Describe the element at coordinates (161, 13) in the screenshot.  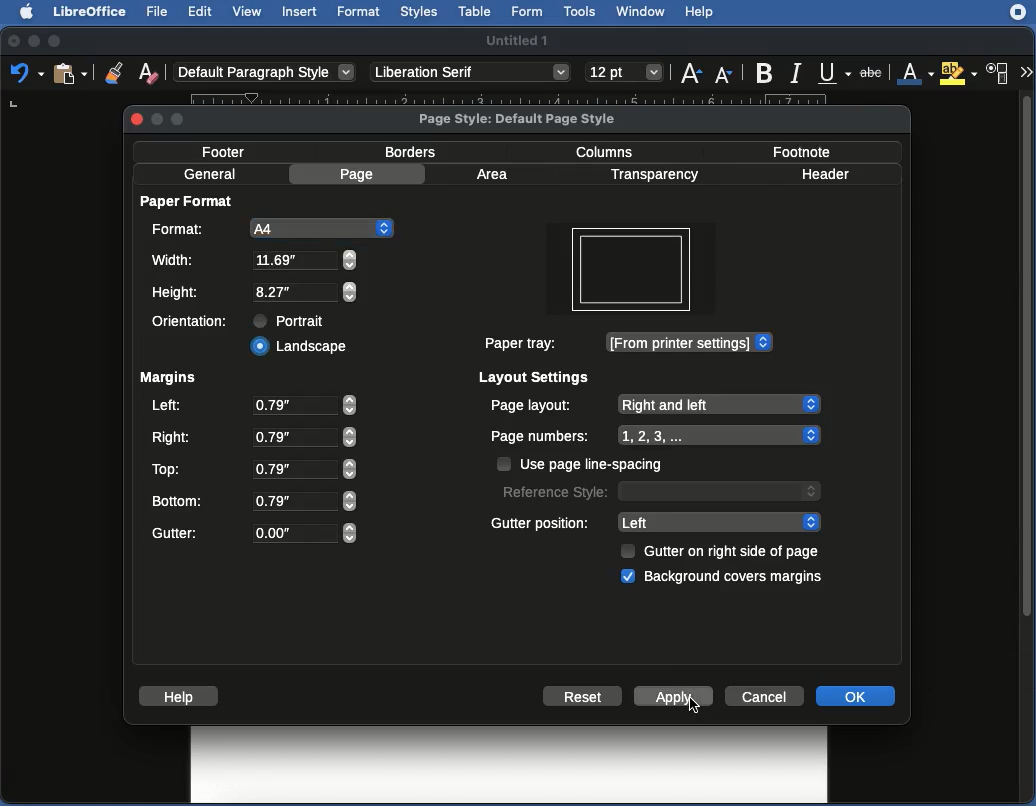
I see `File` at that location.